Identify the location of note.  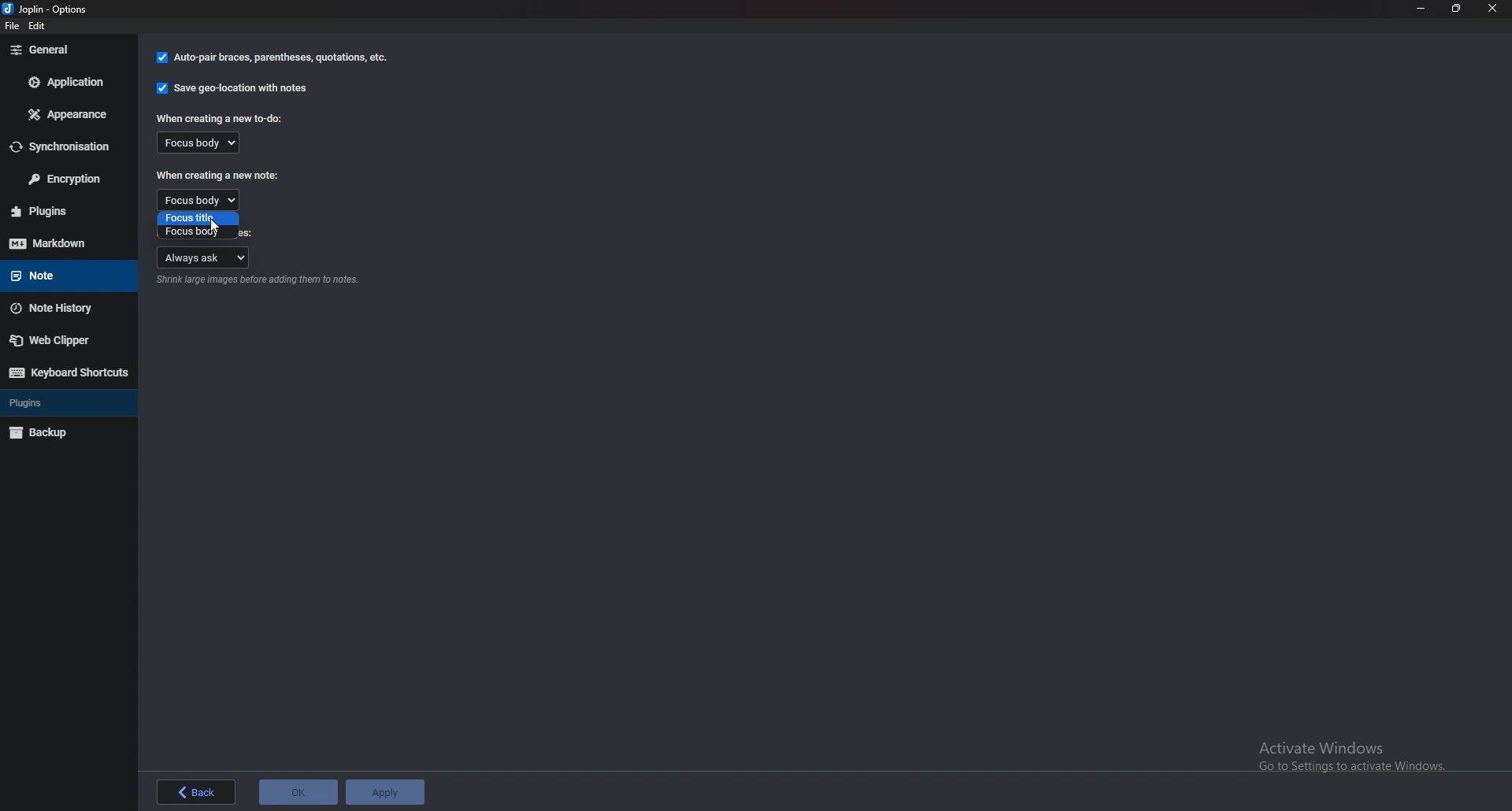
(61, 274).